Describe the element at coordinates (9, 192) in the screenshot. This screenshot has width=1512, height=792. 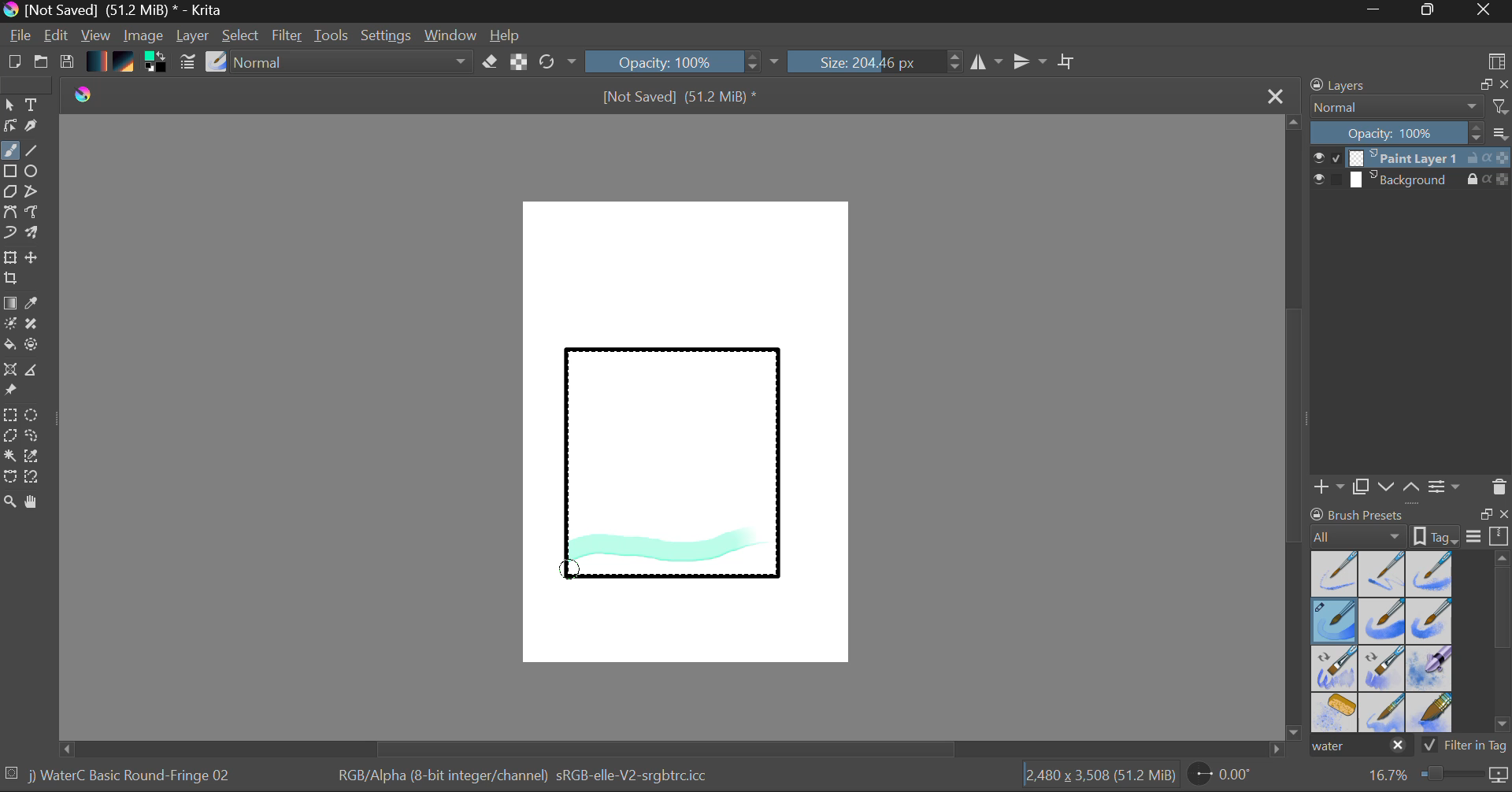
I see `Polygon` at that location.